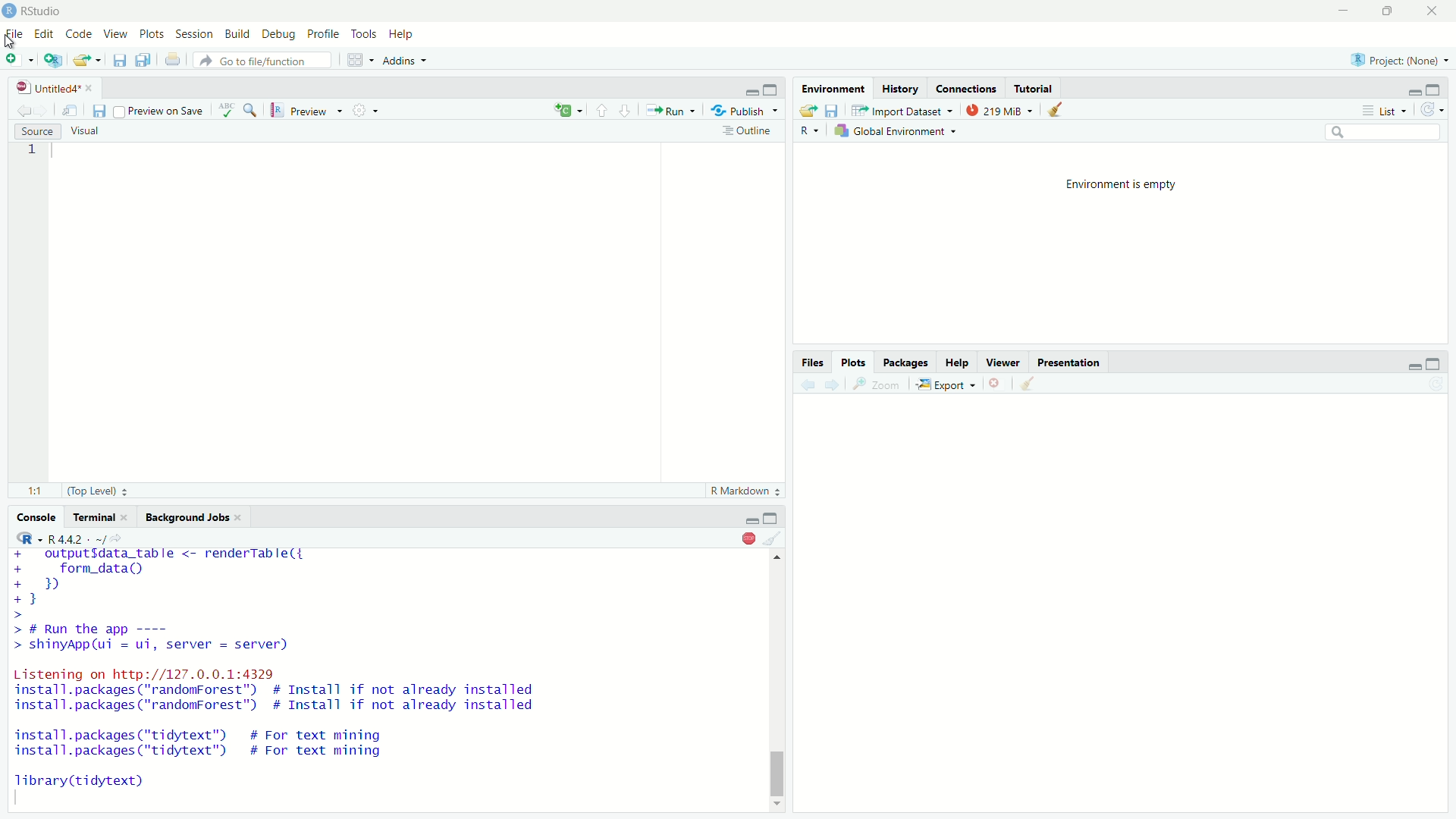 The height and width of the screenshot is (819, 1456). What do you see at coordinates (1034, 384) in the screenshot?
I see `Clear all plots` at bounding box center [1034, 384].